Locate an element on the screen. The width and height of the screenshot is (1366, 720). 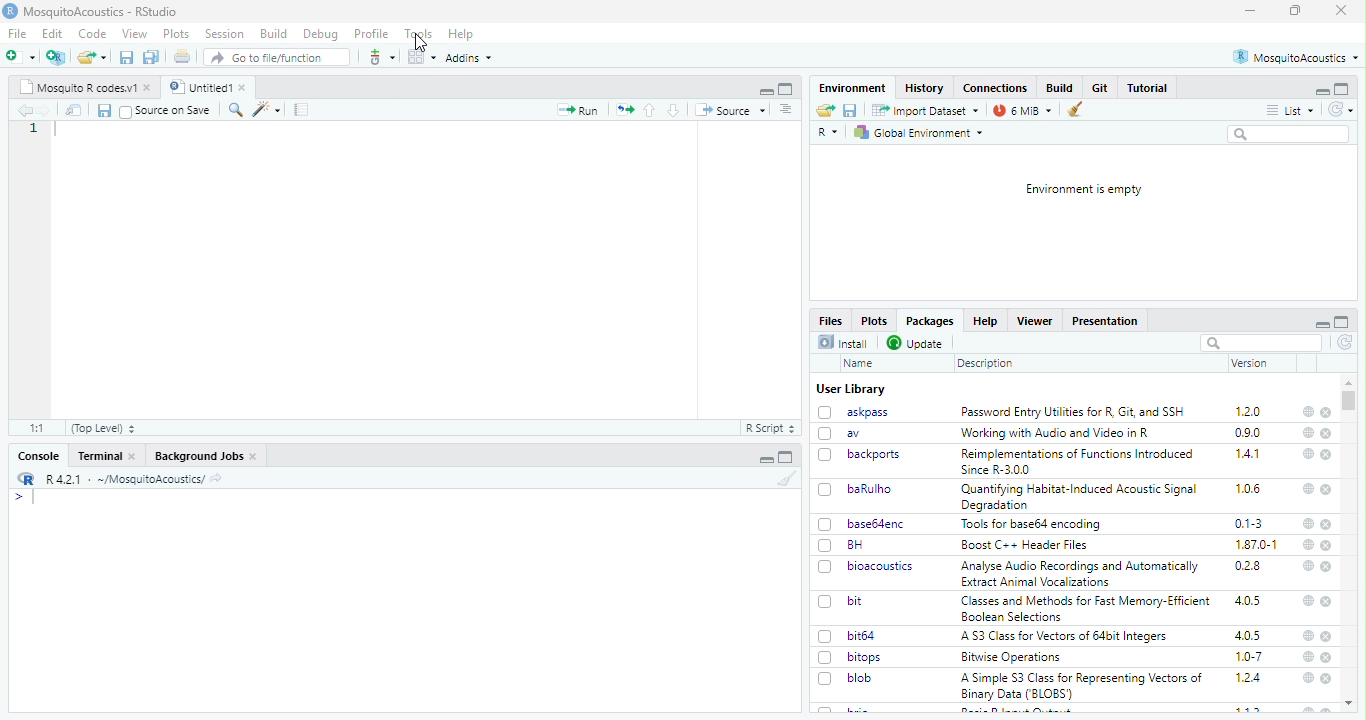
Viewer is located at coordinates (1034, 321).